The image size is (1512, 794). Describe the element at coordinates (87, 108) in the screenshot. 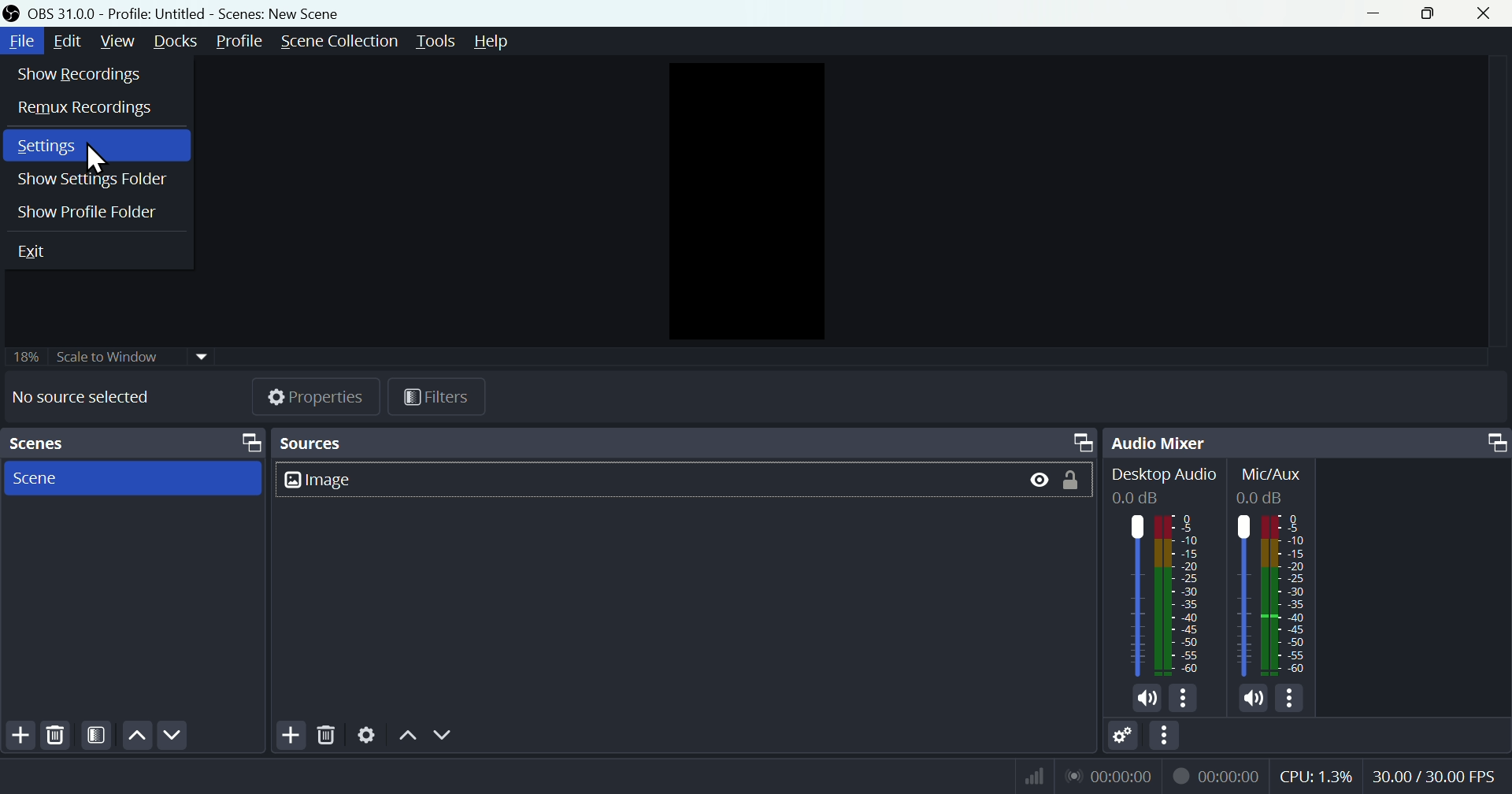

I see `Remax recording` at that location.